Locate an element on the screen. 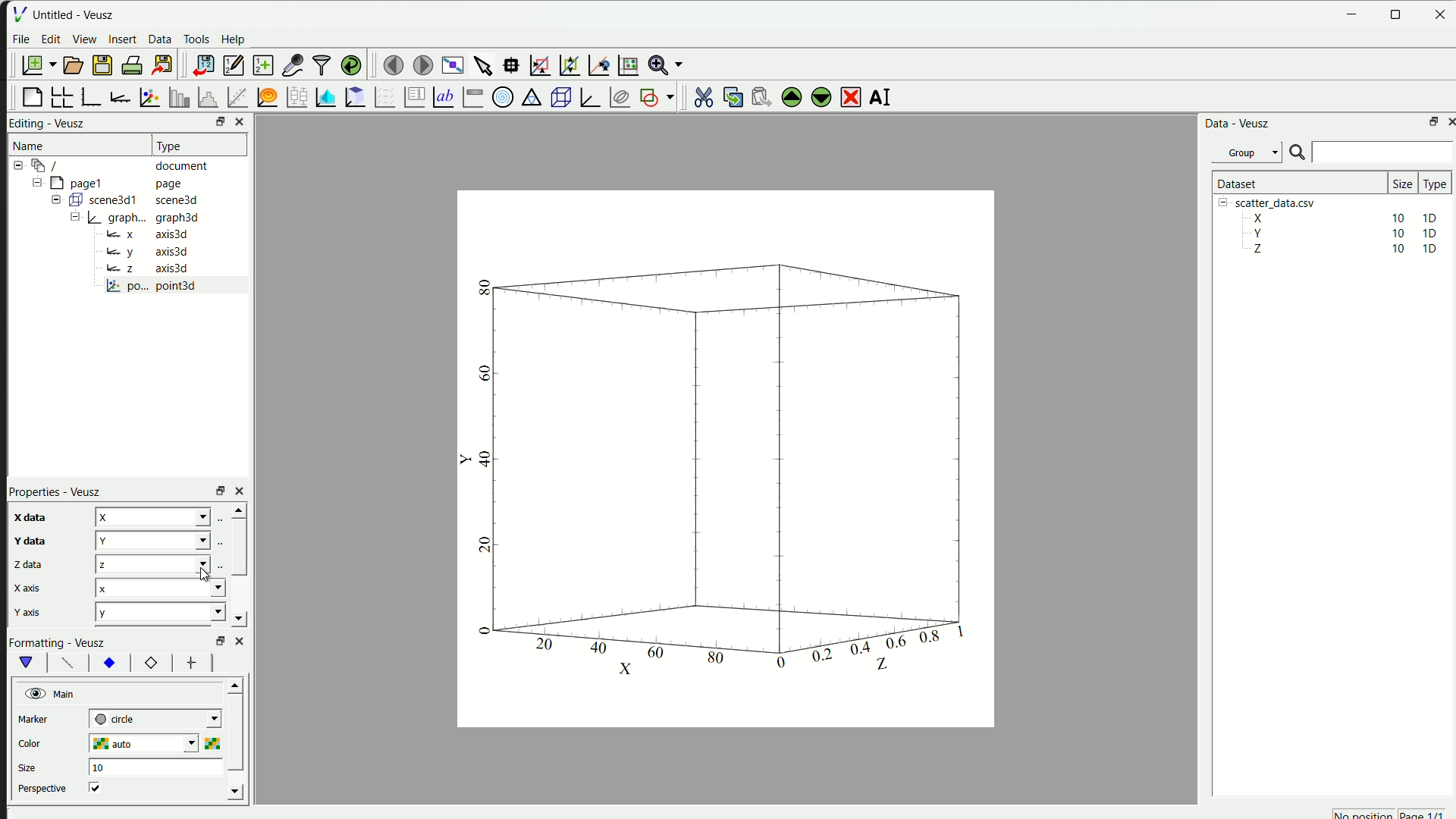 Image resolution: width=1456 pixels, height=819 pixels. down is located at coordinates (242, 620).